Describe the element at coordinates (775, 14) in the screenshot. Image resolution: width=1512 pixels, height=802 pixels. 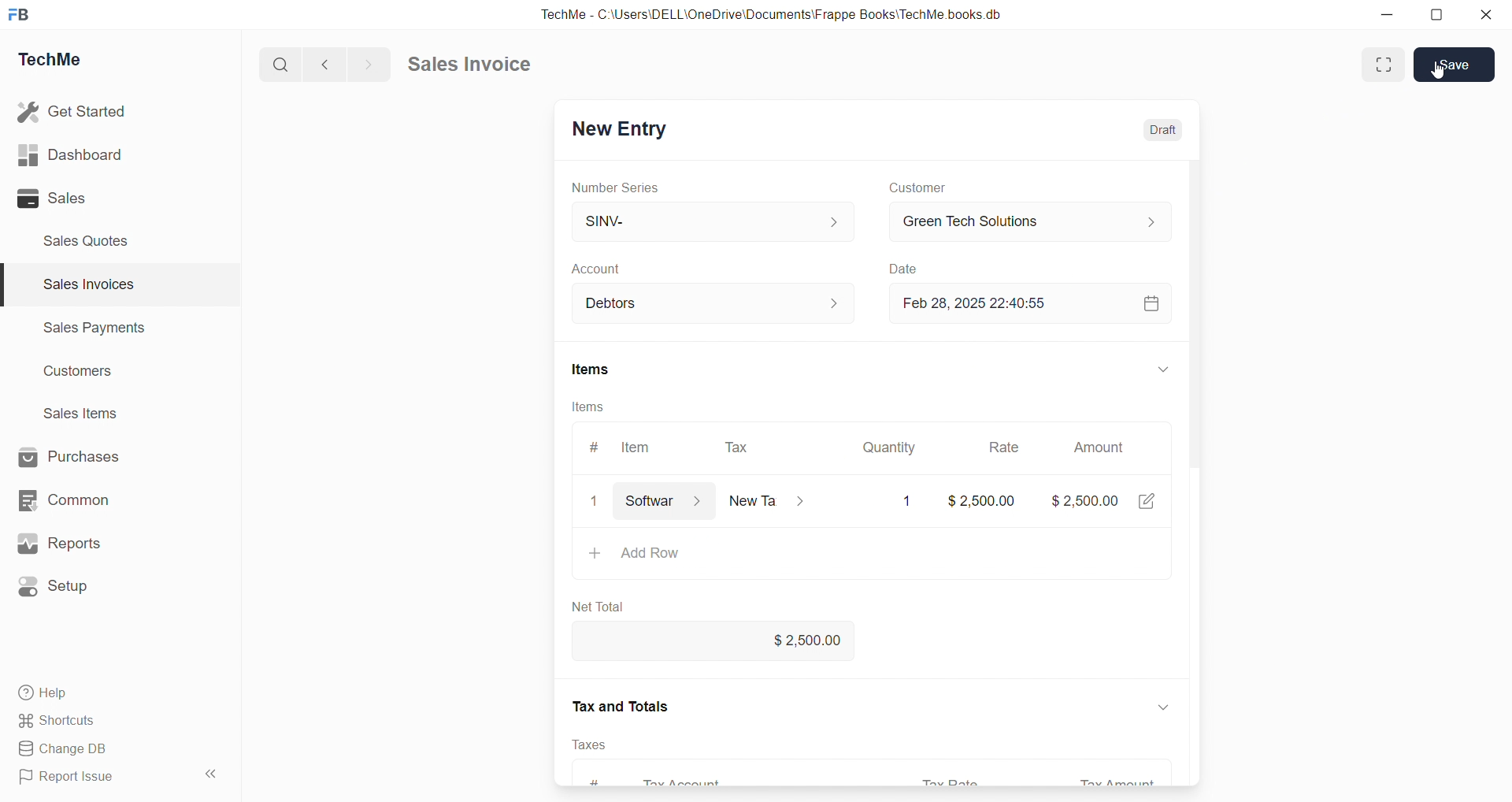
I see `TechMe - C:\Users\DELL\OneDrive\Documents\Frappe Books'TechMe books db` at that location.